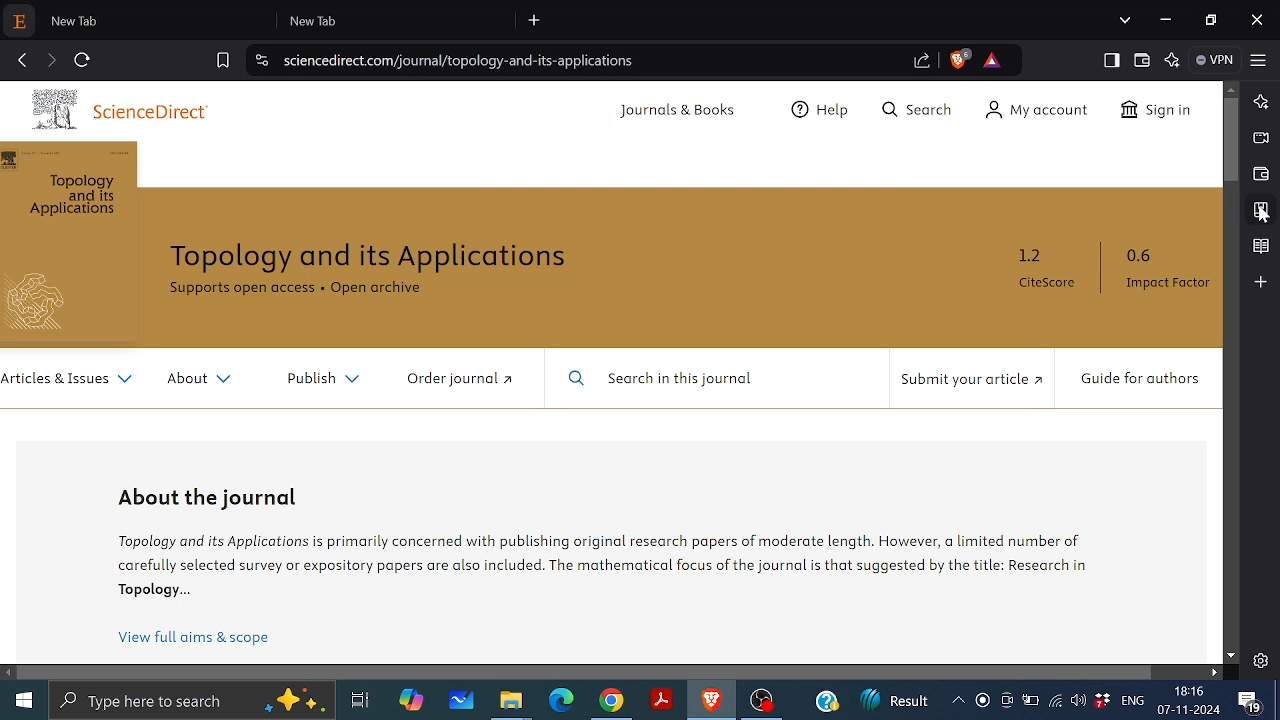 This screenshot has width=1280, height=720. I want to click on Bookmark this tab, so click(223, 60).